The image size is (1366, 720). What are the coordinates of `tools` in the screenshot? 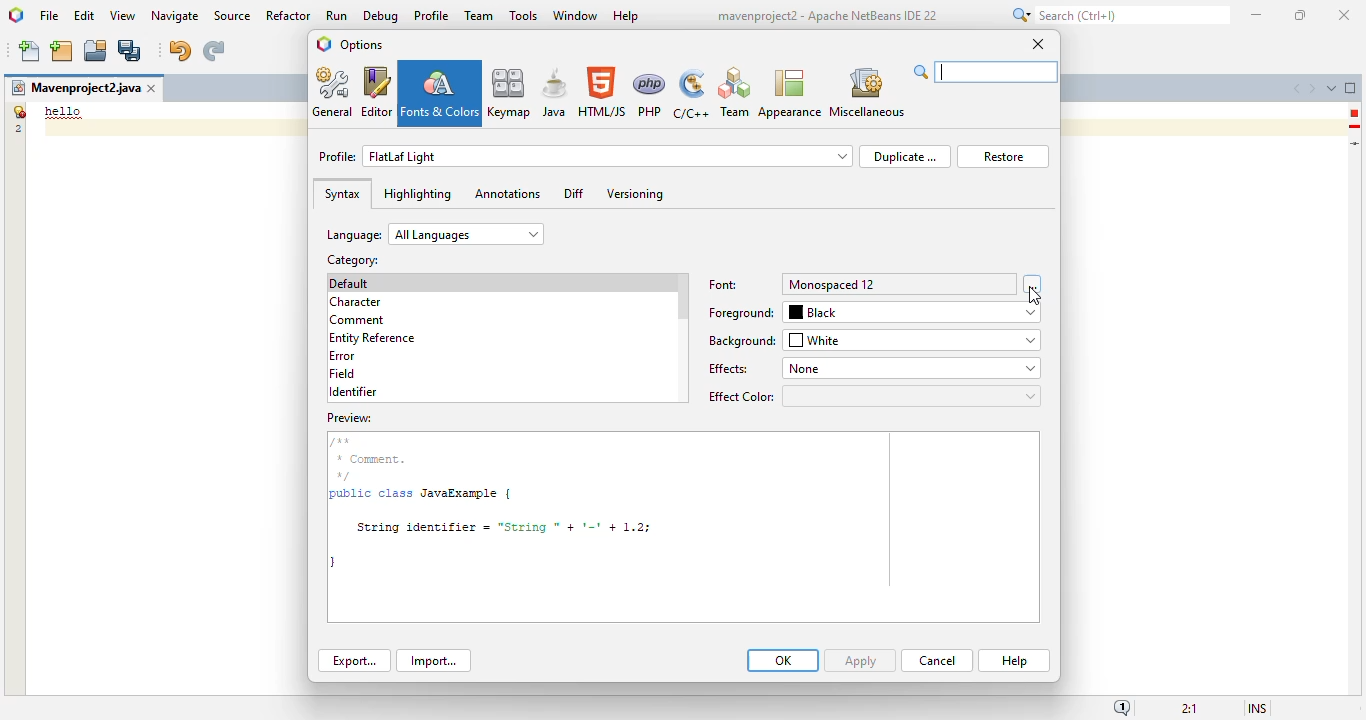 It's located at (523, 15).